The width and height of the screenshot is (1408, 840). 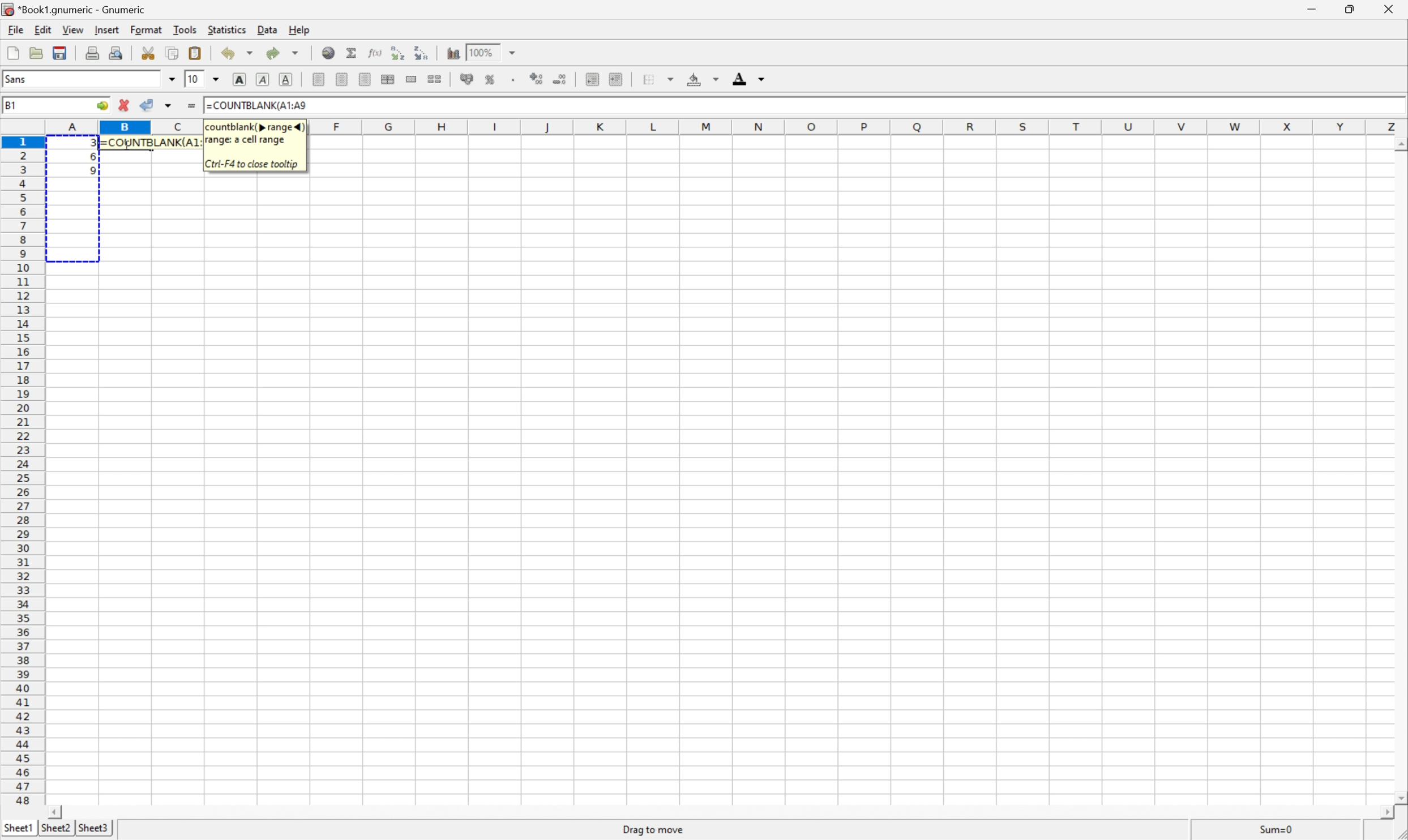 I want to click on *Book1.gnumeric - Gnumeric, so click(x=76, y=10).